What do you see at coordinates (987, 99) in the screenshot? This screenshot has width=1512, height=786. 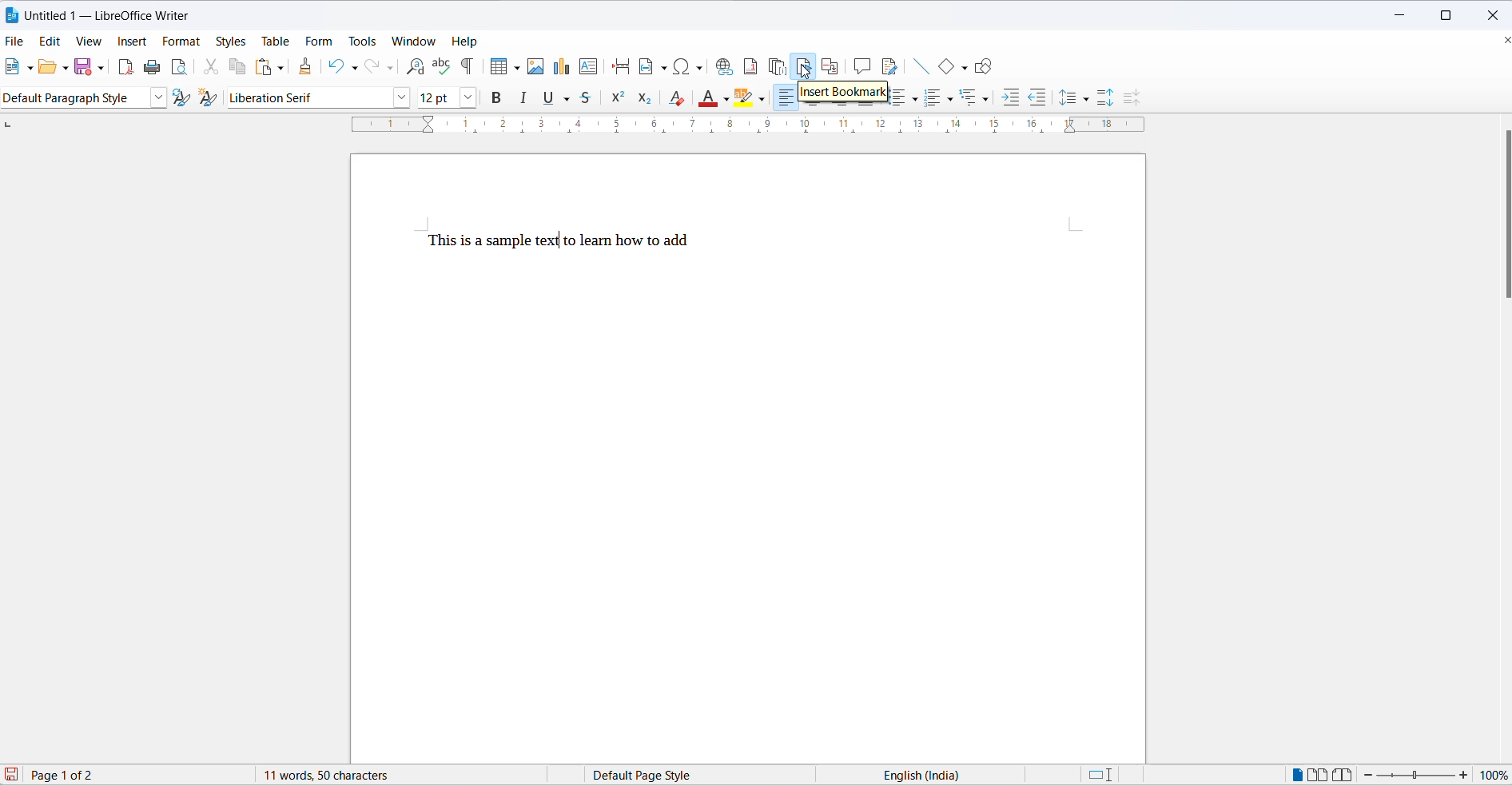 I see `outline format options` at bounding box center [987, 99].